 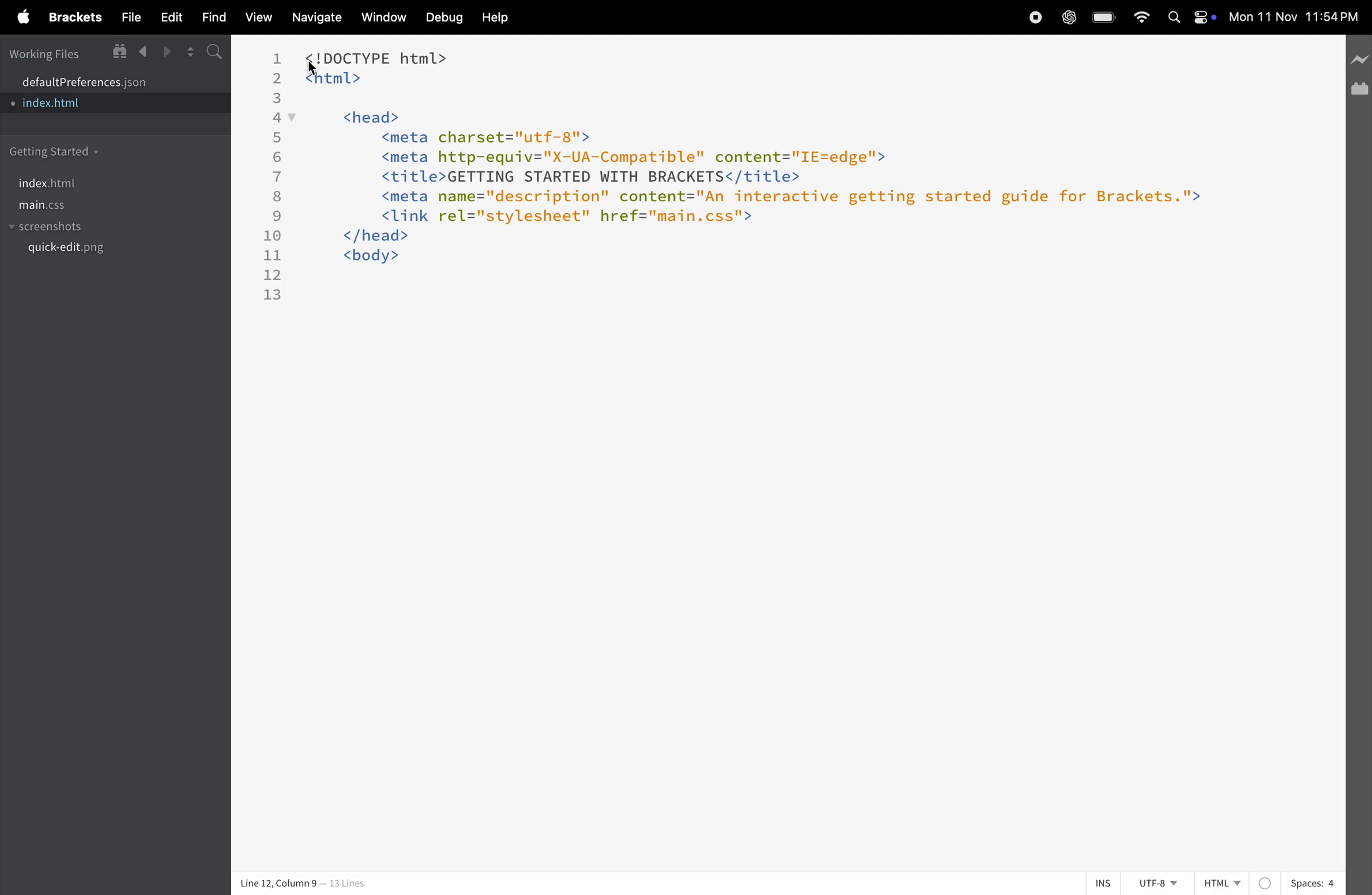 What do you see at coordinates (212, 53) in the screenshot?
I see `search` at bounding box center [212, 53].